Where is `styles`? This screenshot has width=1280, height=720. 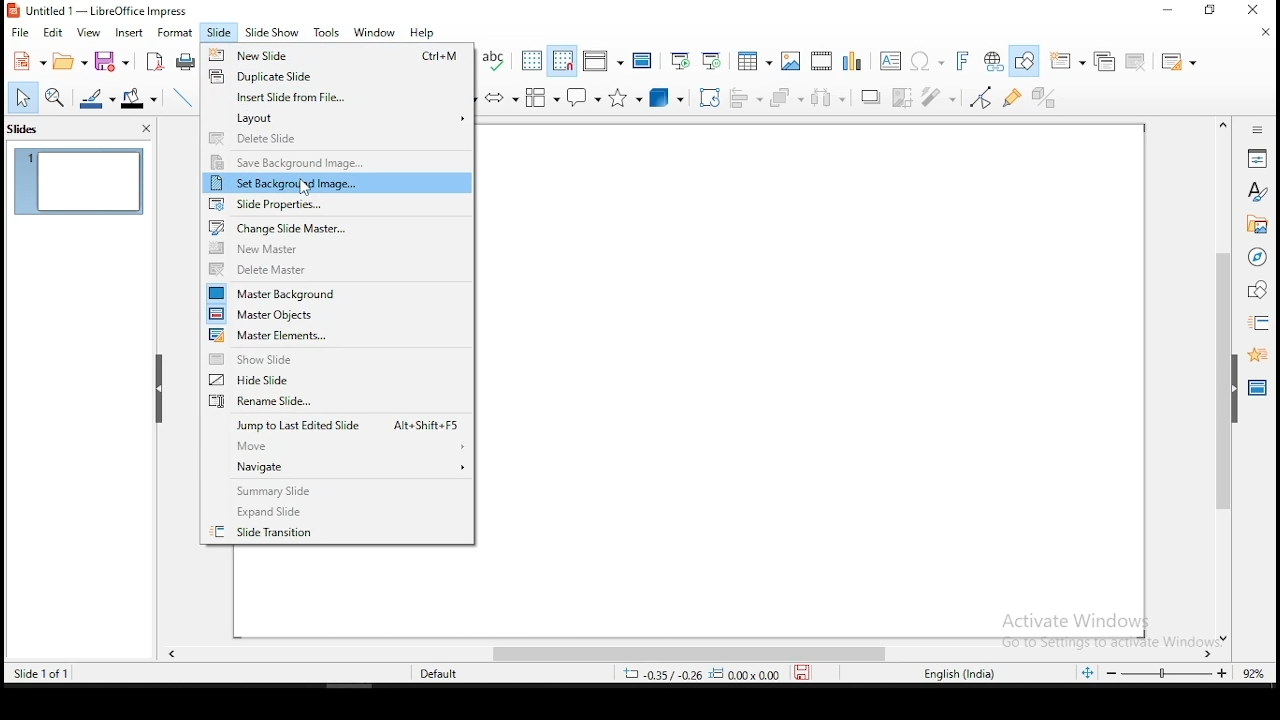 styles is located at coordinates (1259, 192).